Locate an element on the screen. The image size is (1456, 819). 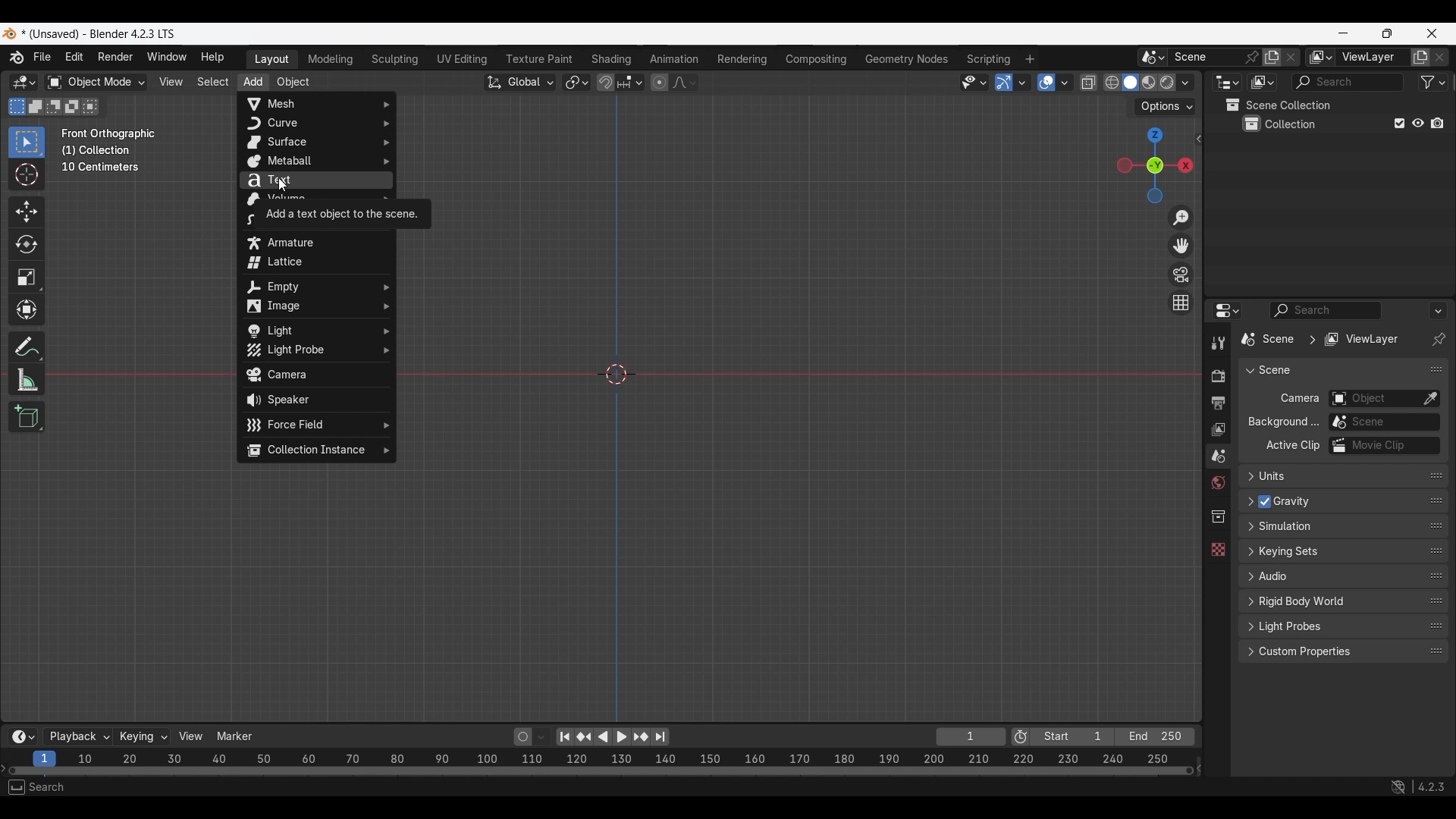
Current frame is located at coordinates (971, 738).